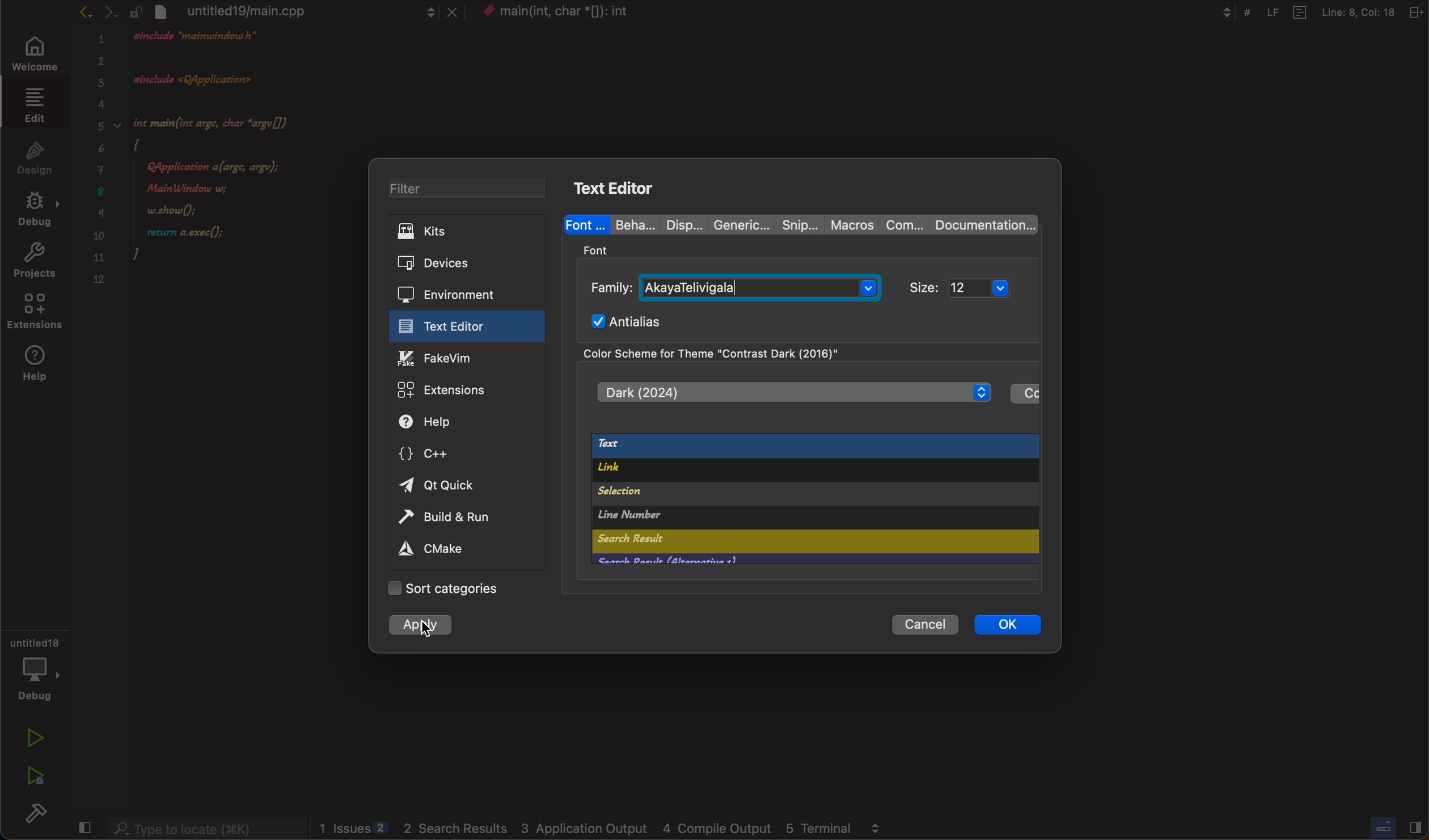 This screenshot has height=840, width=1429. I want to click on text editor, so click(459, 326).